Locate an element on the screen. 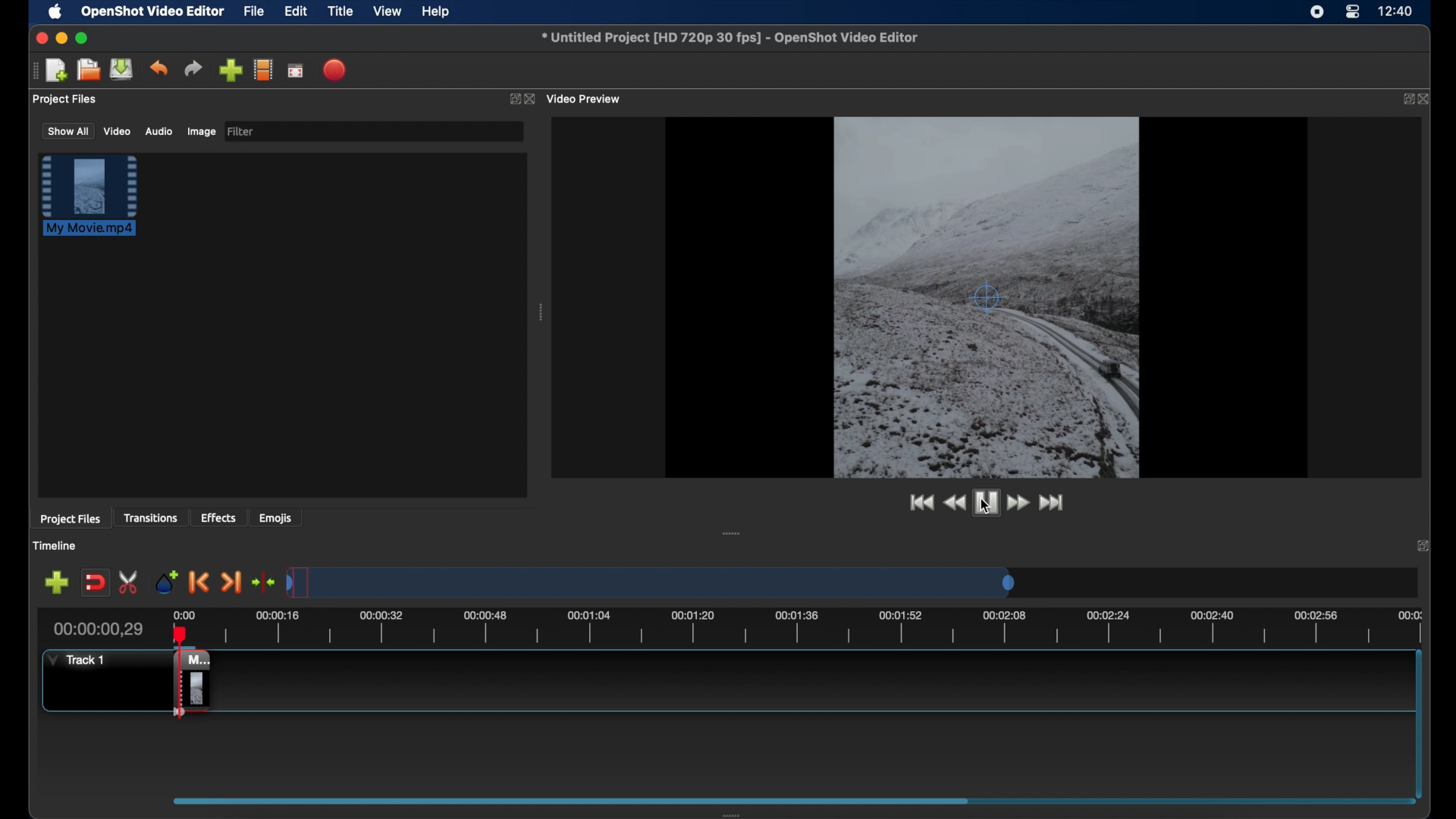 The height and width of the screenshot is (819, 1456). jump to start is located at coordinates (918, 502).